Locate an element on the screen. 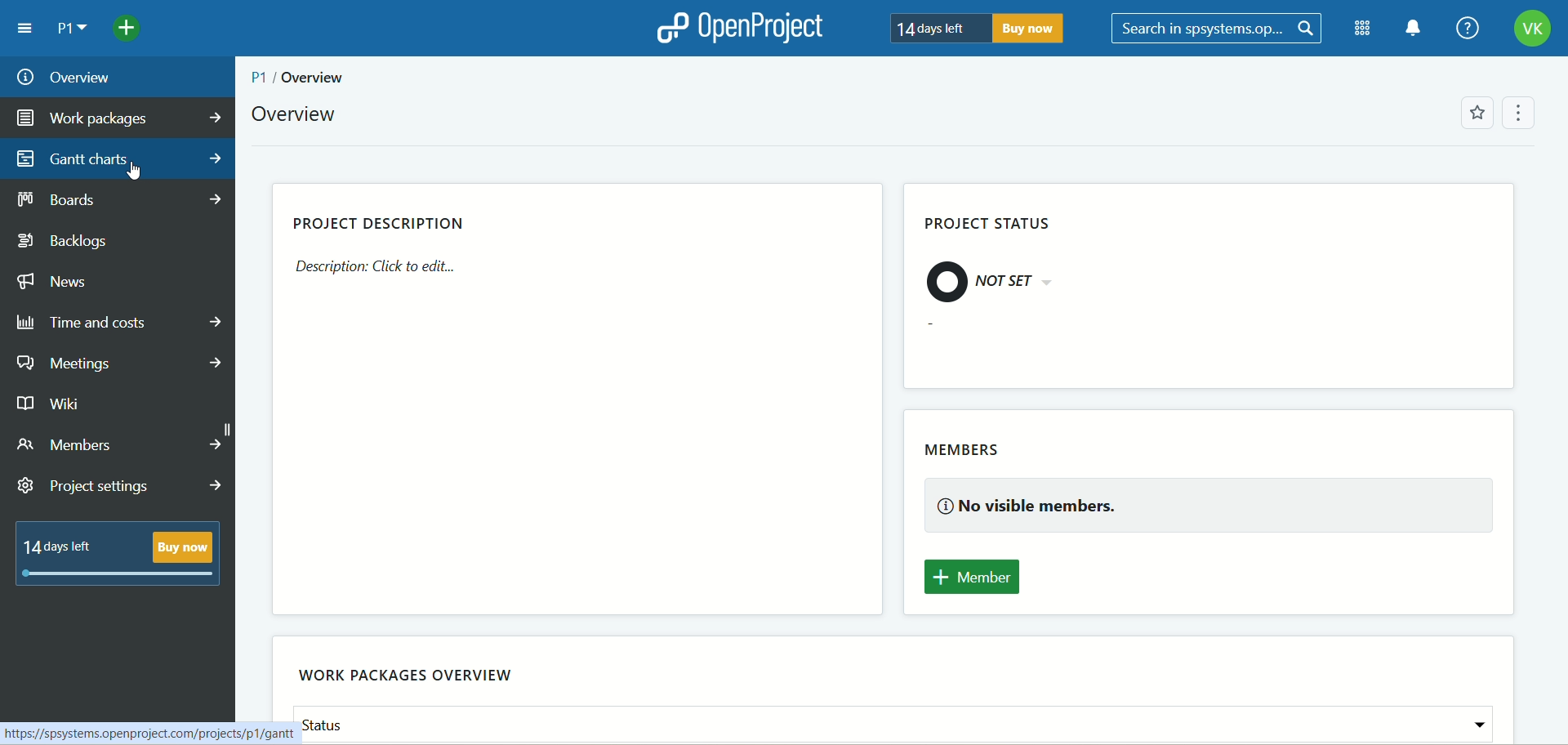  members is located at coordinates (119, 446).